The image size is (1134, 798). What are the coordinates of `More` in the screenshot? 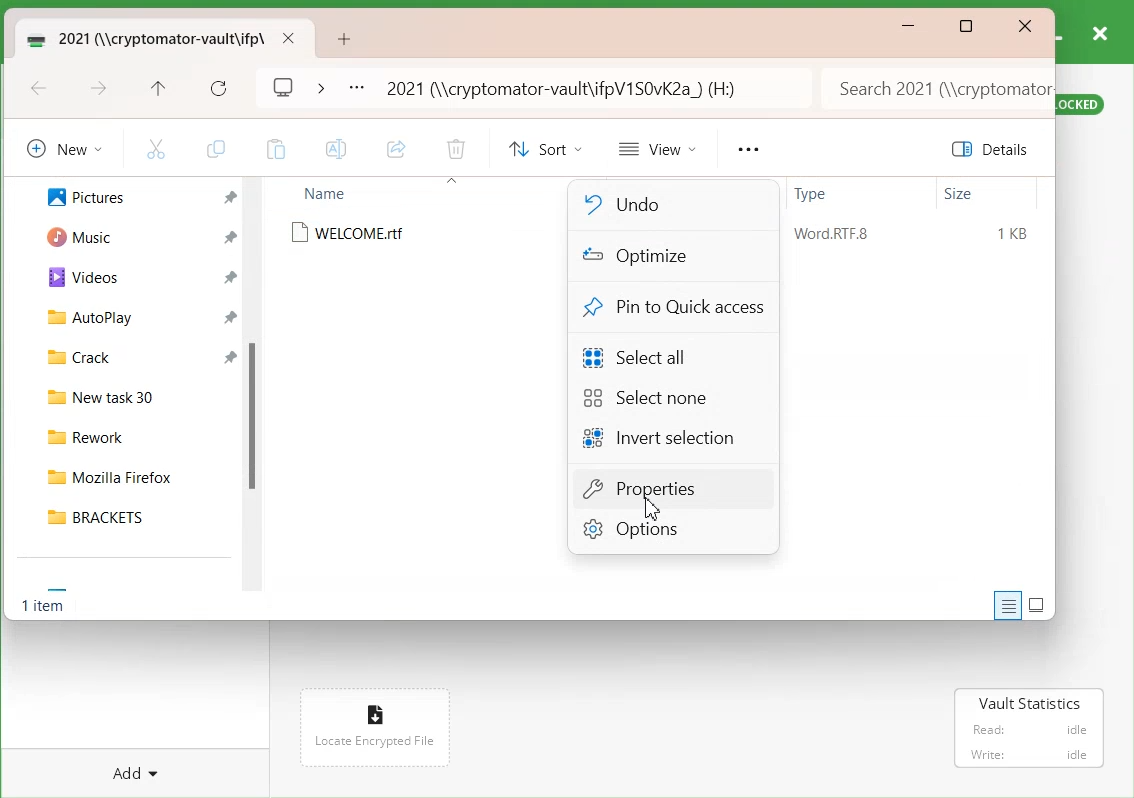 It's located at (356, 89).